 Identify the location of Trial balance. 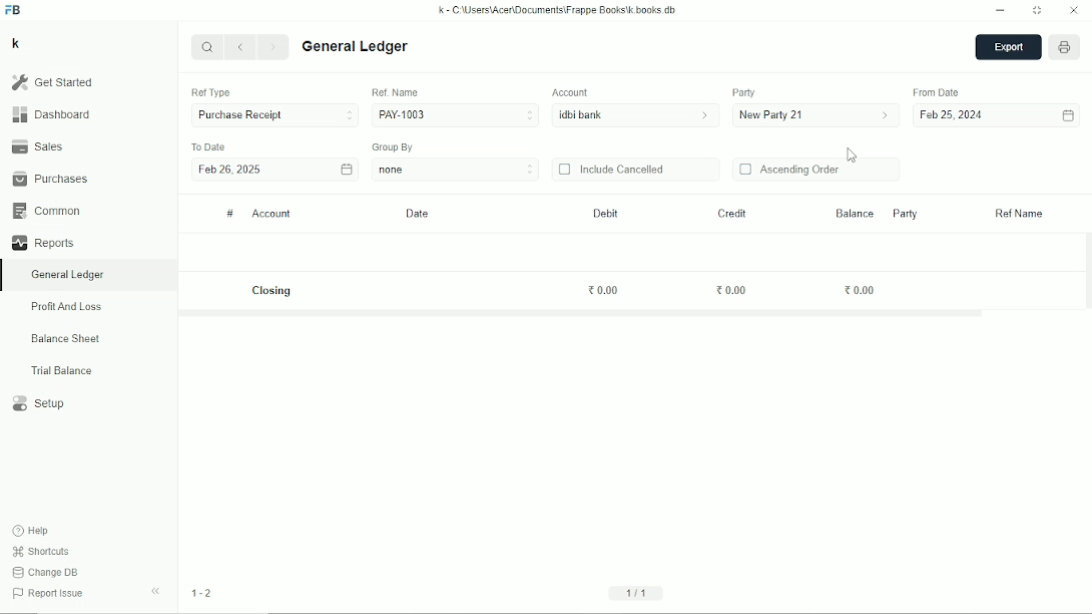
(62, 371).